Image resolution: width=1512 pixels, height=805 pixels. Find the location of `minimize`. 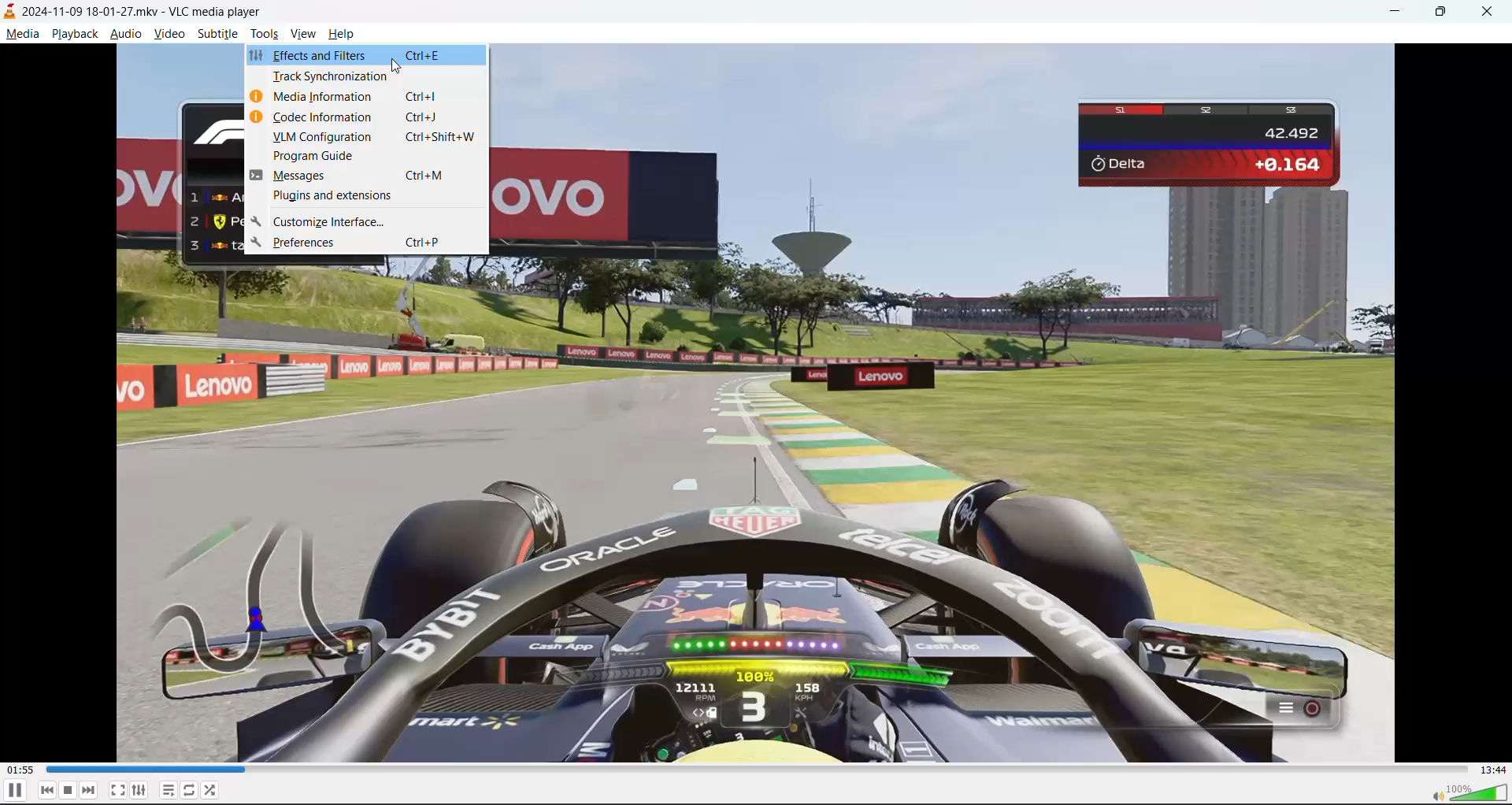

minimize is located at coordinates (1399, 13).